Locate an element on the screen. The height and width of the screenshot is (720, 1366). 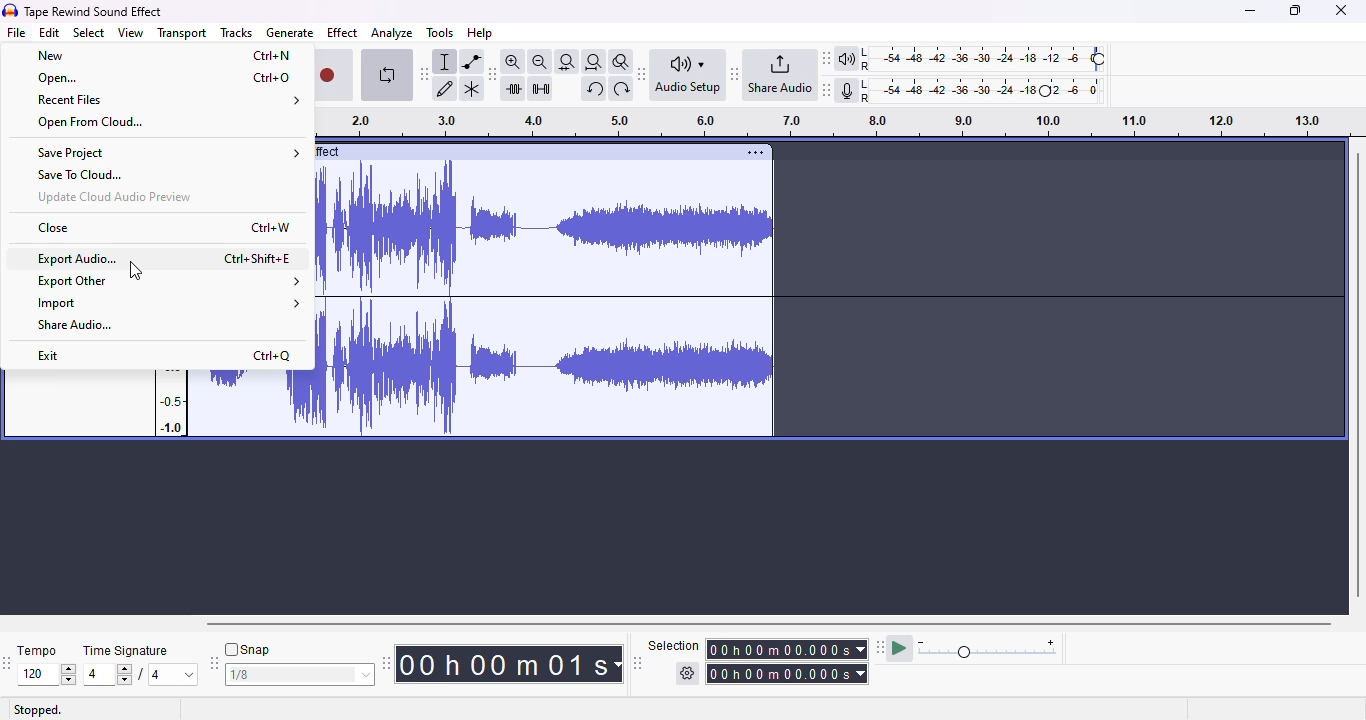
audacity selection toolbar is located at coordinates (751, 660).